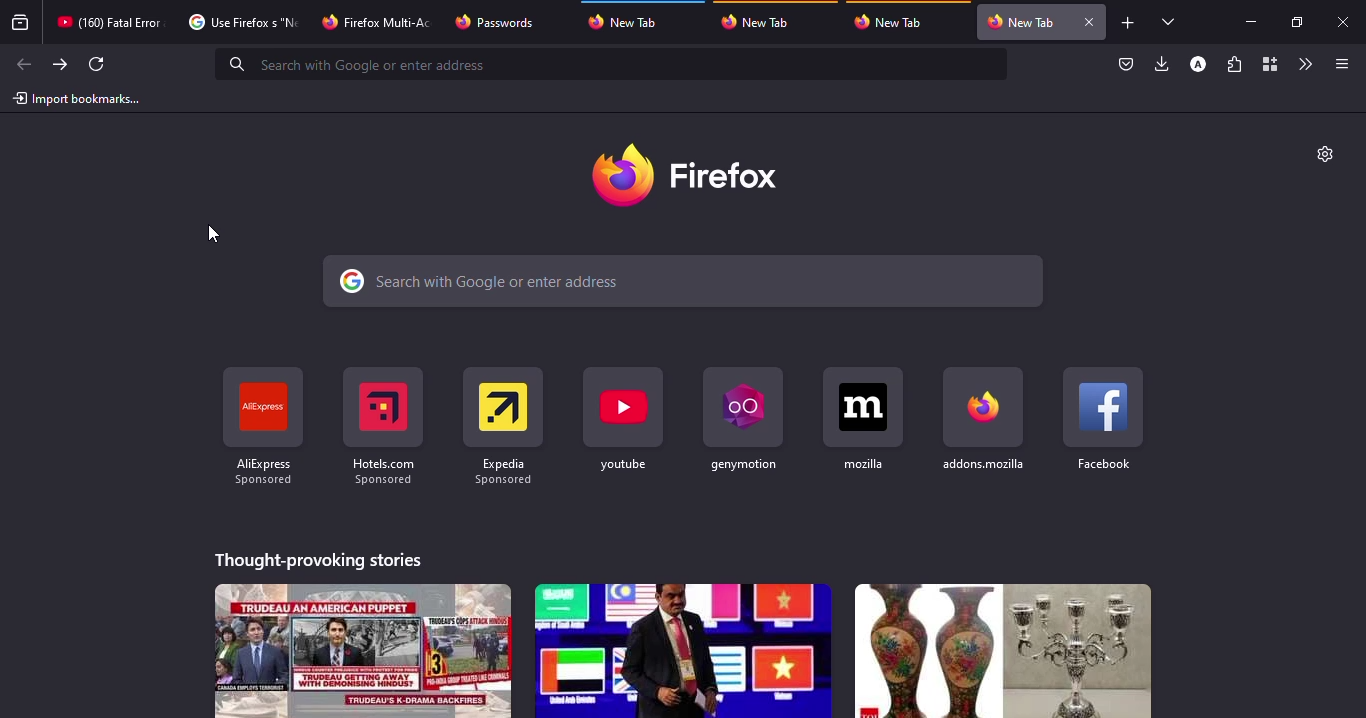 The height and width of the screenshot is (718, 1366). What do you see at coordinates (317, 560) in the screenshot?
I see `stories` at bounding box center [317, 560].